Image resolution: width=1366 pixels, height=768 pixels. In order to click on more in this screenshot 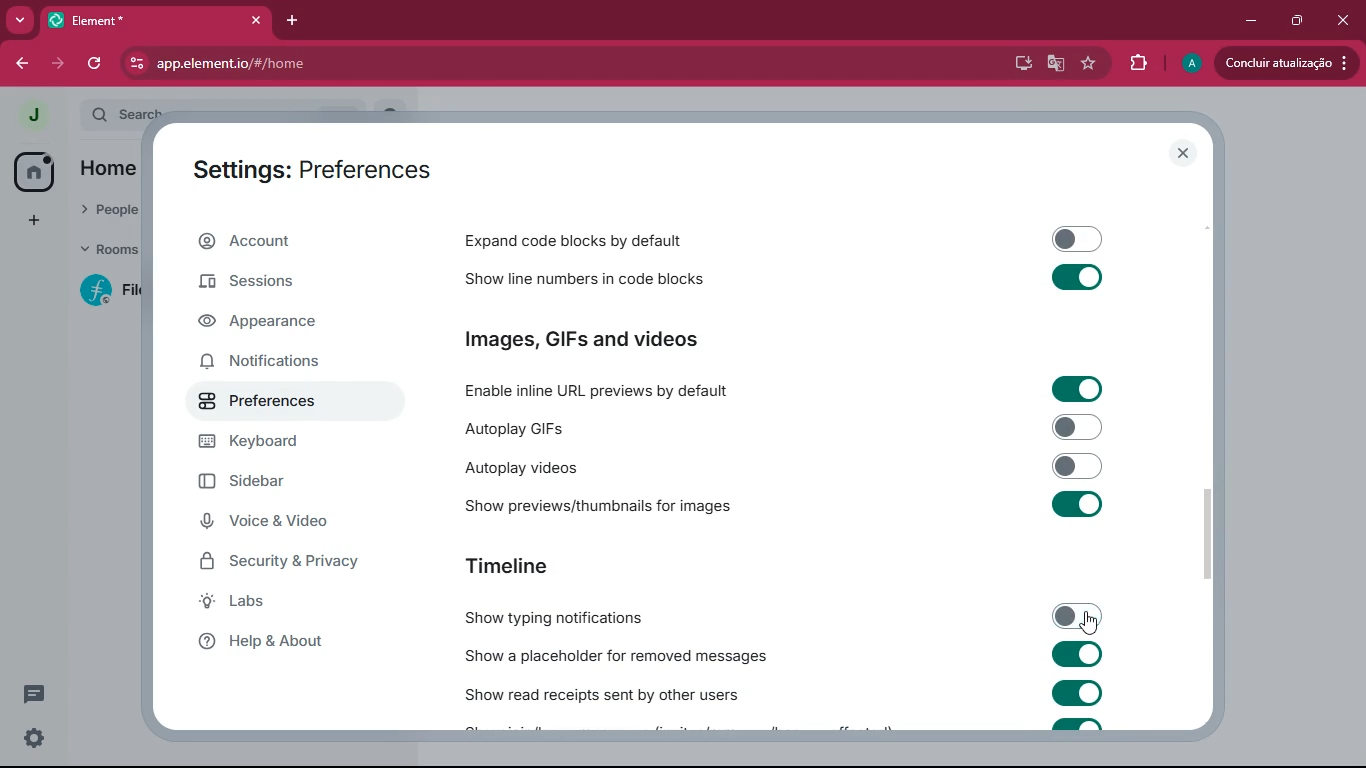, I will do `click(18, 20)`.